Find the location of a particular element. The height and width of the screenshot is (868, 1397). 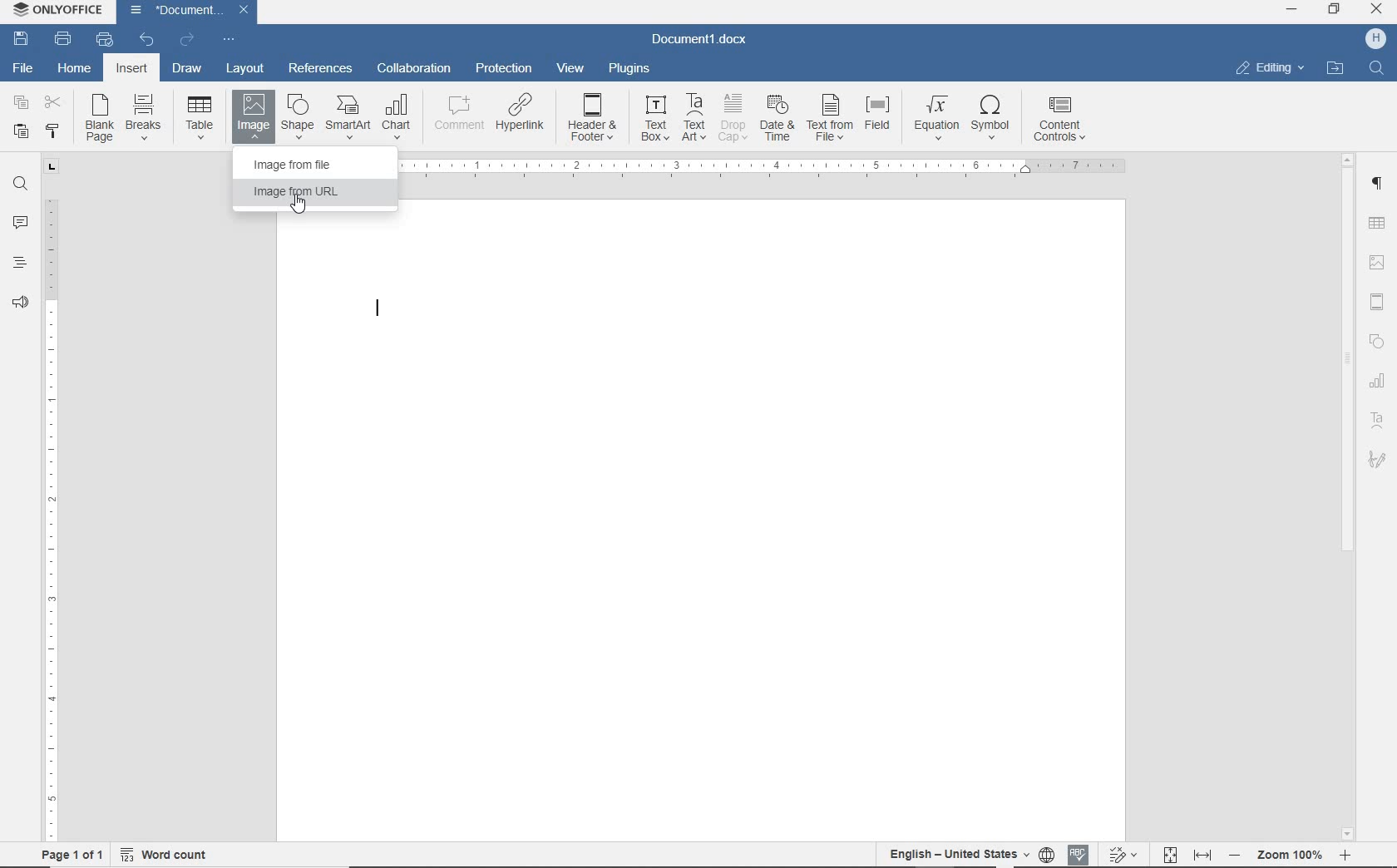

blank page is located at coordinates (98, 117).